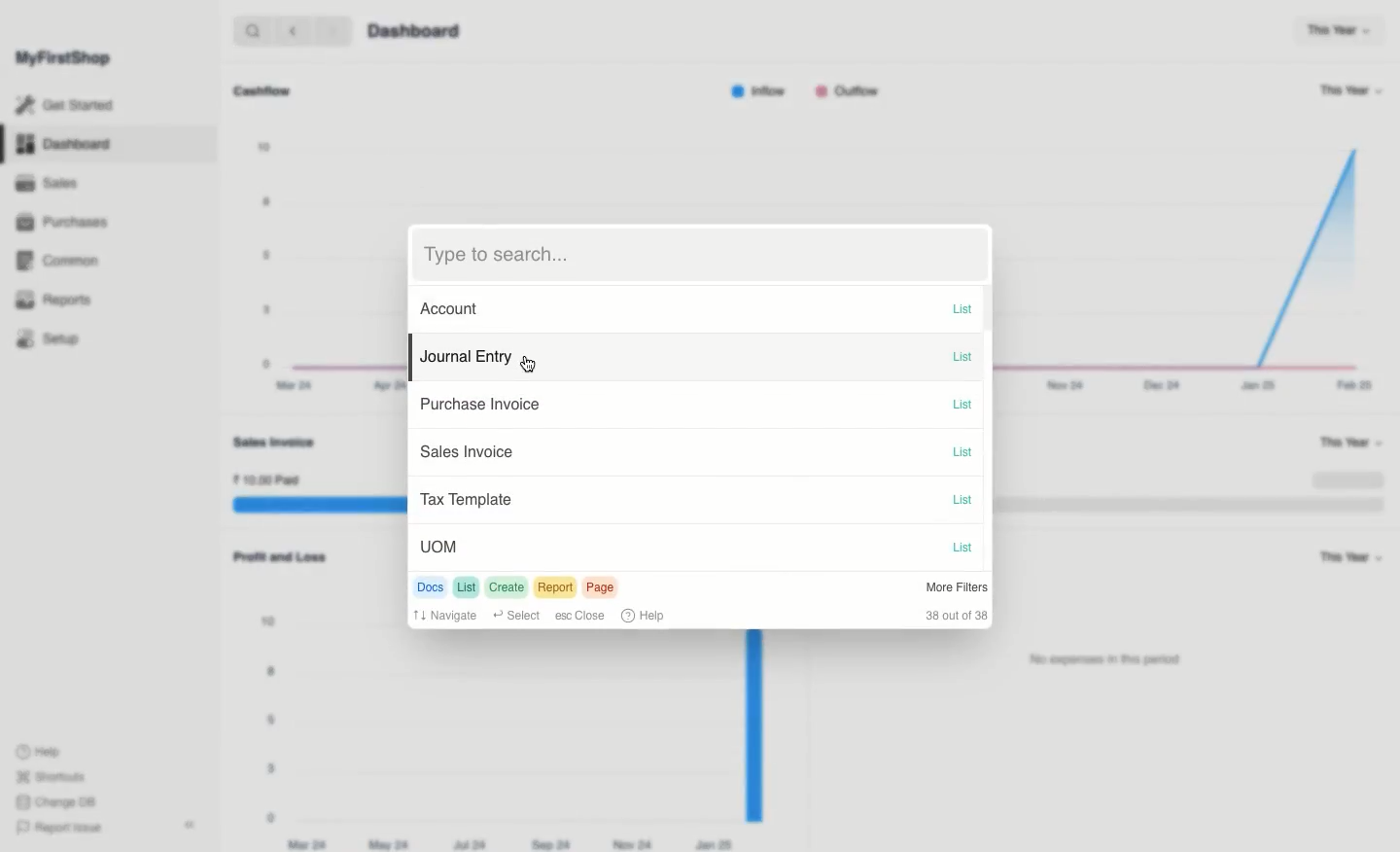 The width and height of the screenshot is (1400, 852). Describe the element at coordinates (1337, 30) in the screenshot. I see `This Year` at that location.